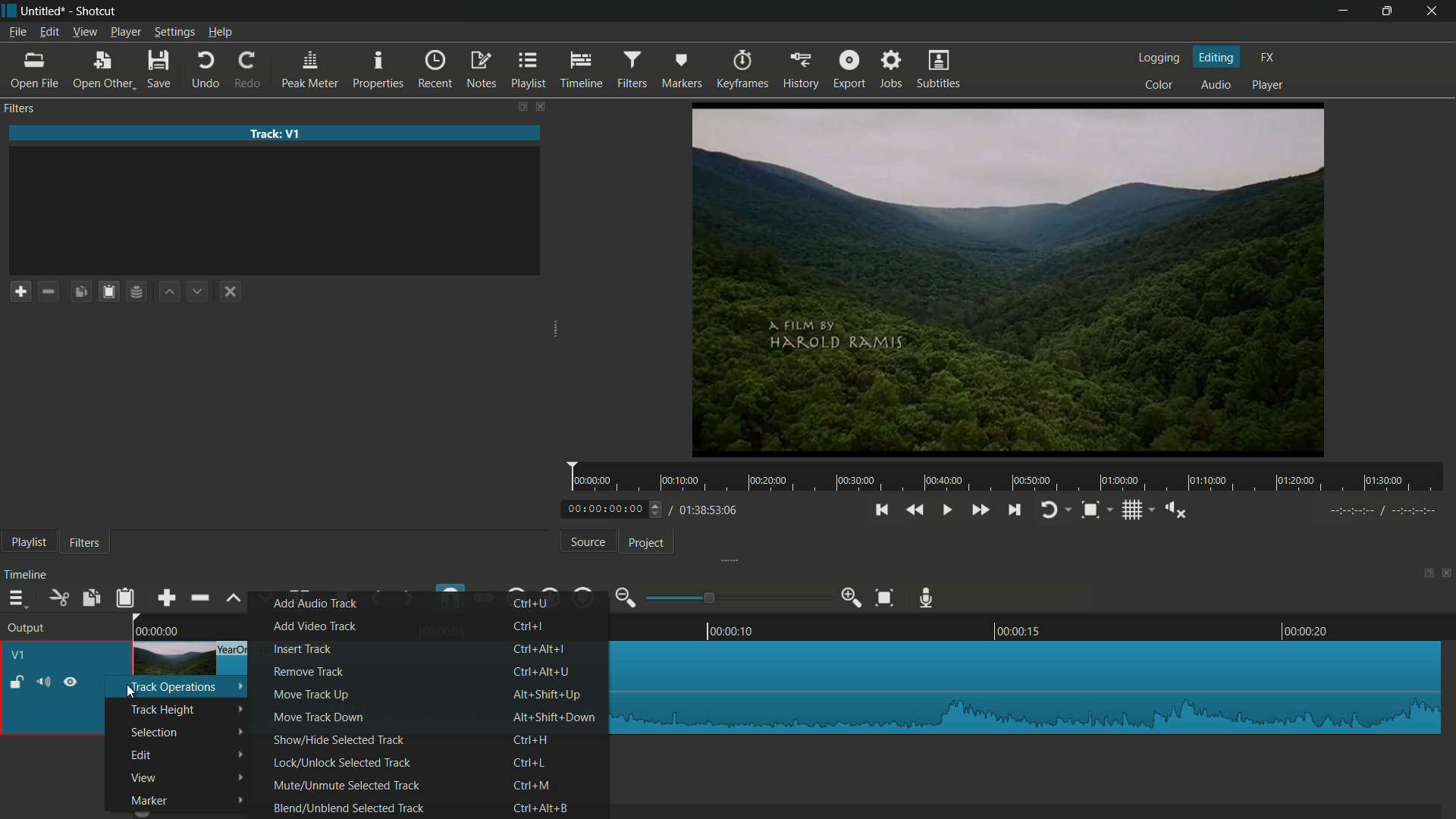  I want to click on preview, so click(1011, 279).